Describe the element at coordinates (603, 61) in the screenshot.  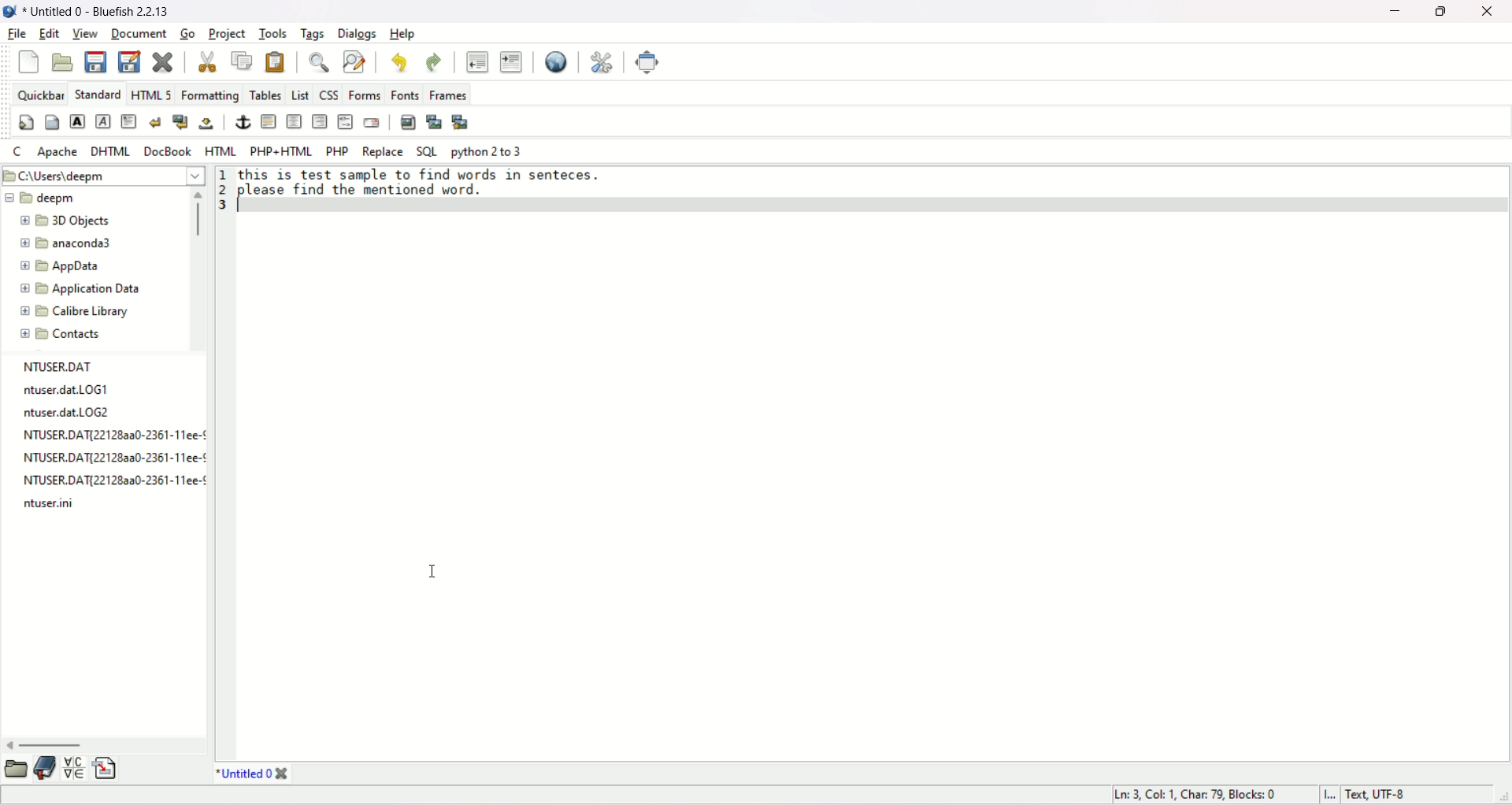
I see `edit preferences` at that location.